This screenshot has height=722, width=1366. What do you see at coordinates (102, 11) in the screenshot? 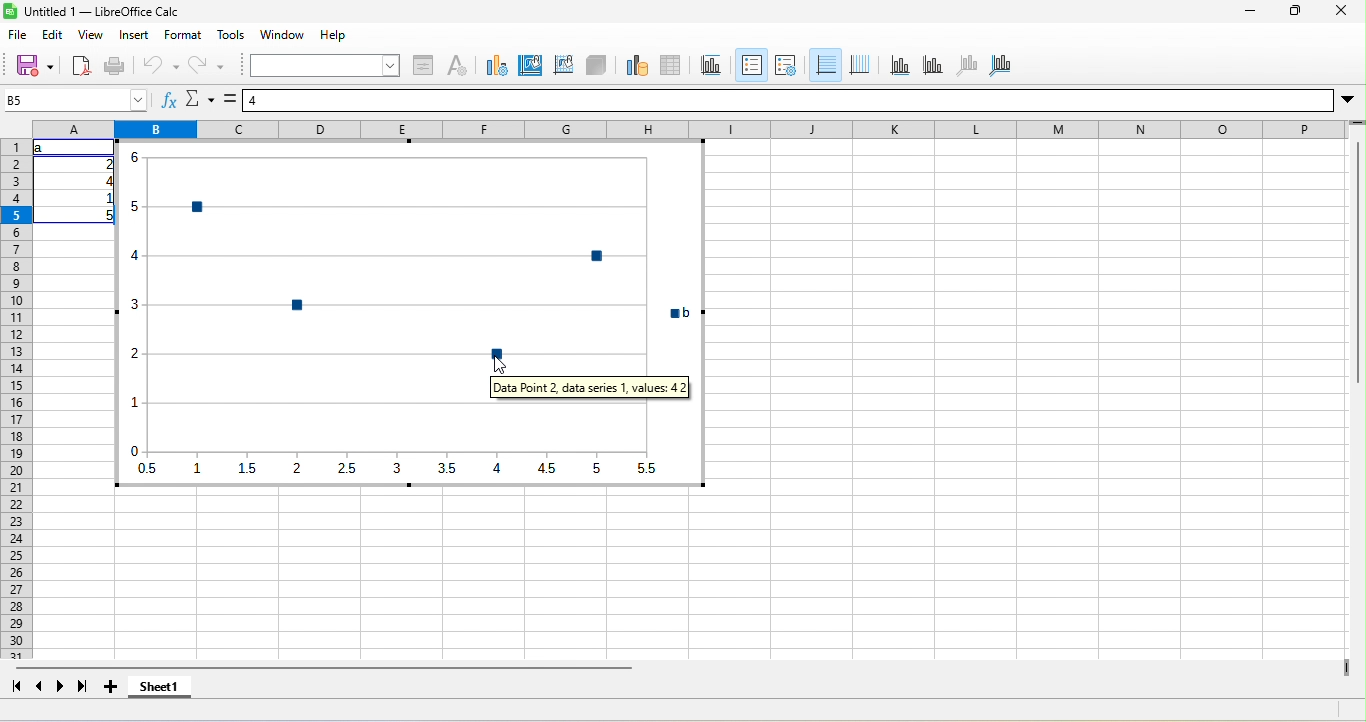
I see `Untitled 1 — LibreOffice Calc` at bounding box center [102, 11].